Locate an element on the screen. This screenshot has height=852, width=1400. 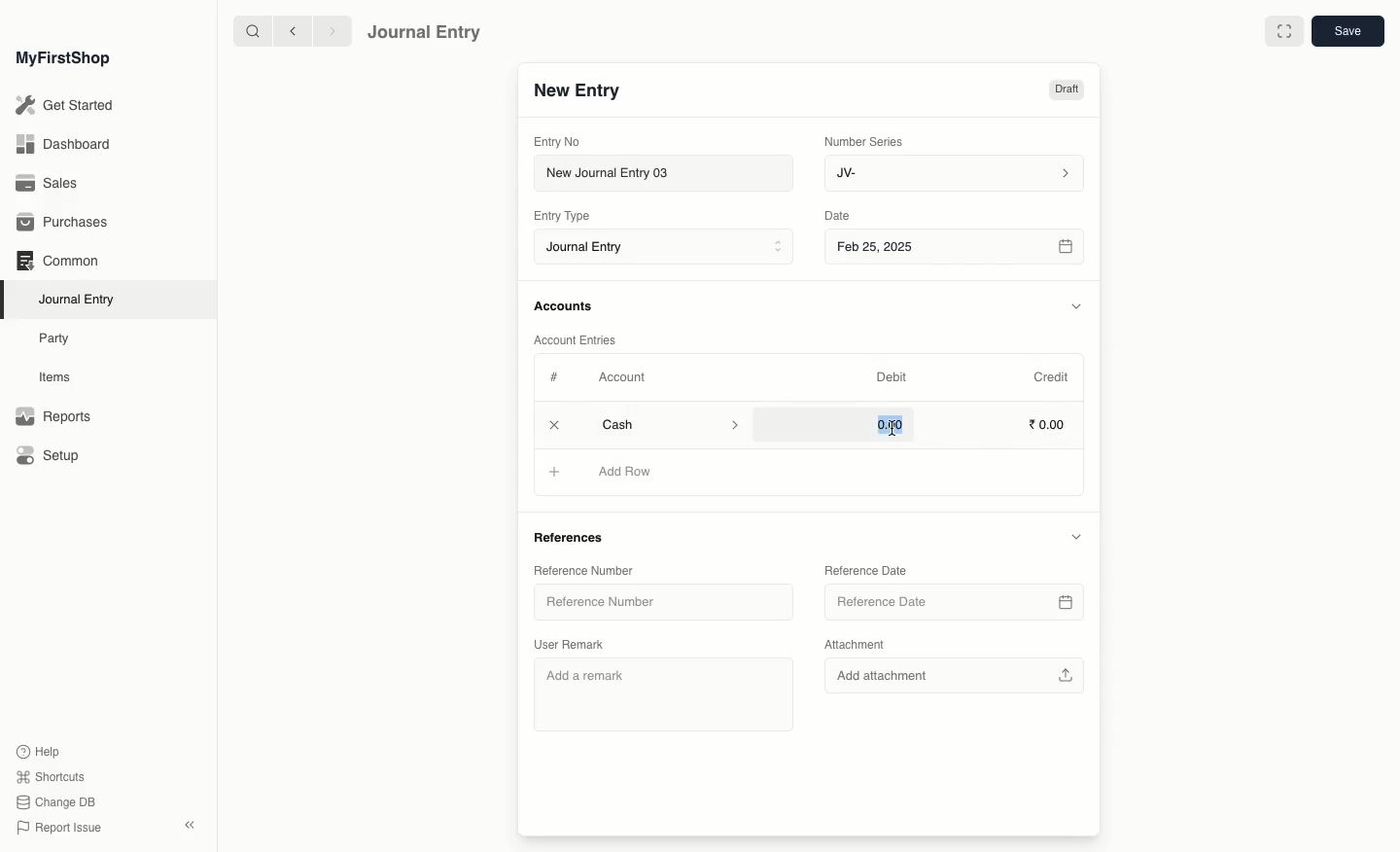
0.00 is located at coordinates (1048, 427).